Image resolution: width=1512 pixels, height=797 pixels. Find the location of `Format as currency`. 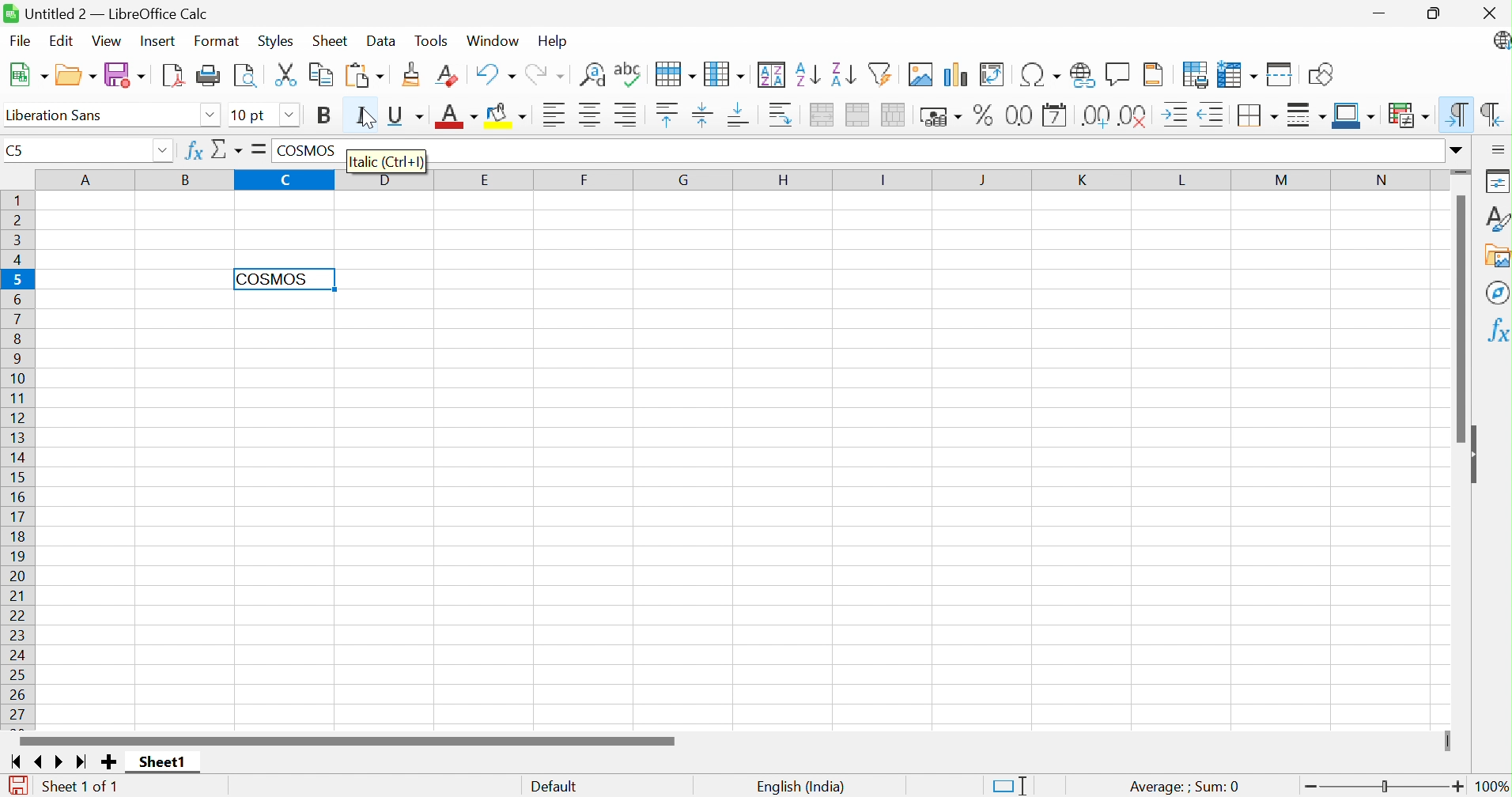

Format as currency is located at coordinates (940, 118).